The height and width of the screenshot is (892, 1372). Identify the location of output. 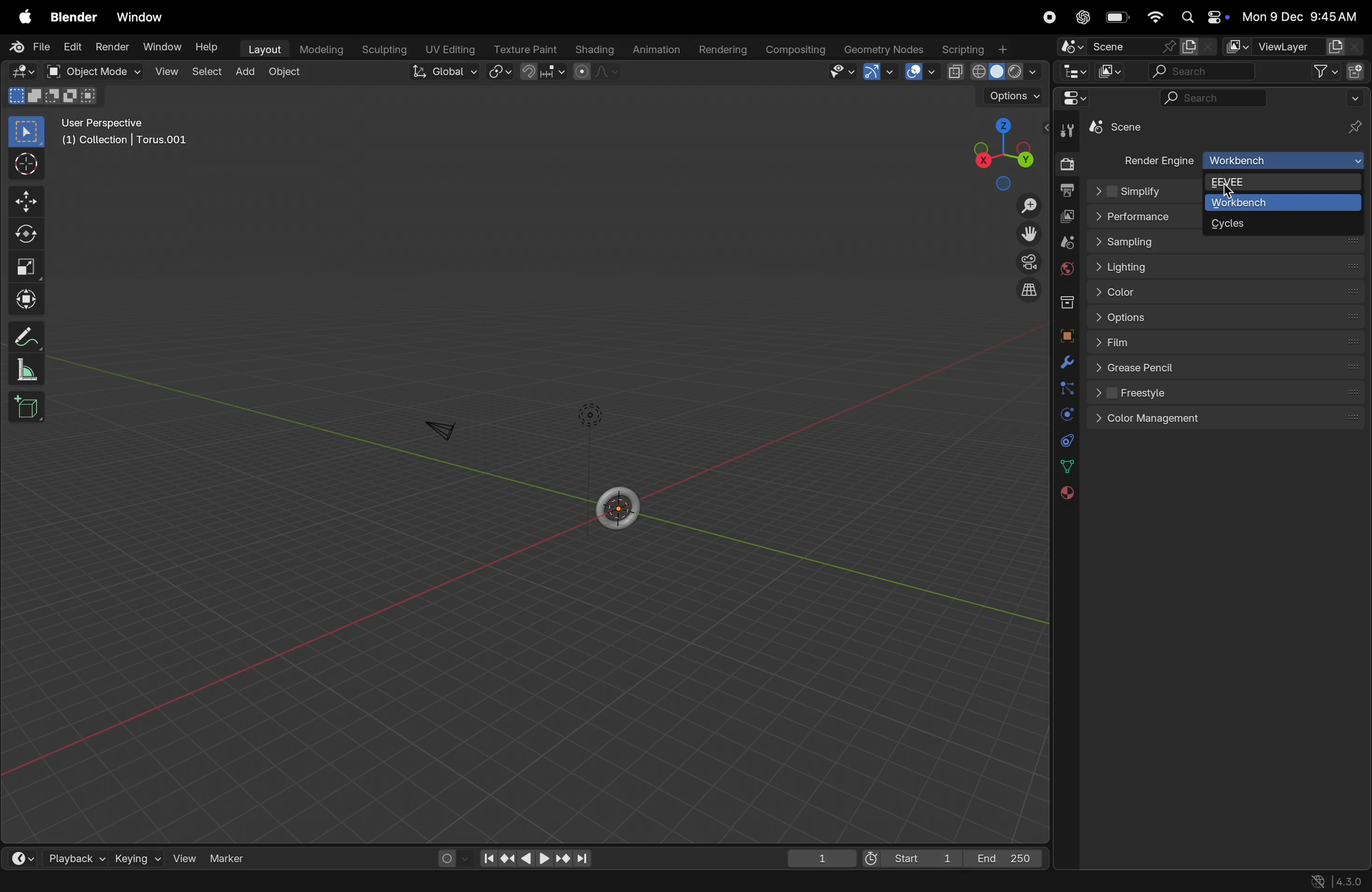
(1066, 189).